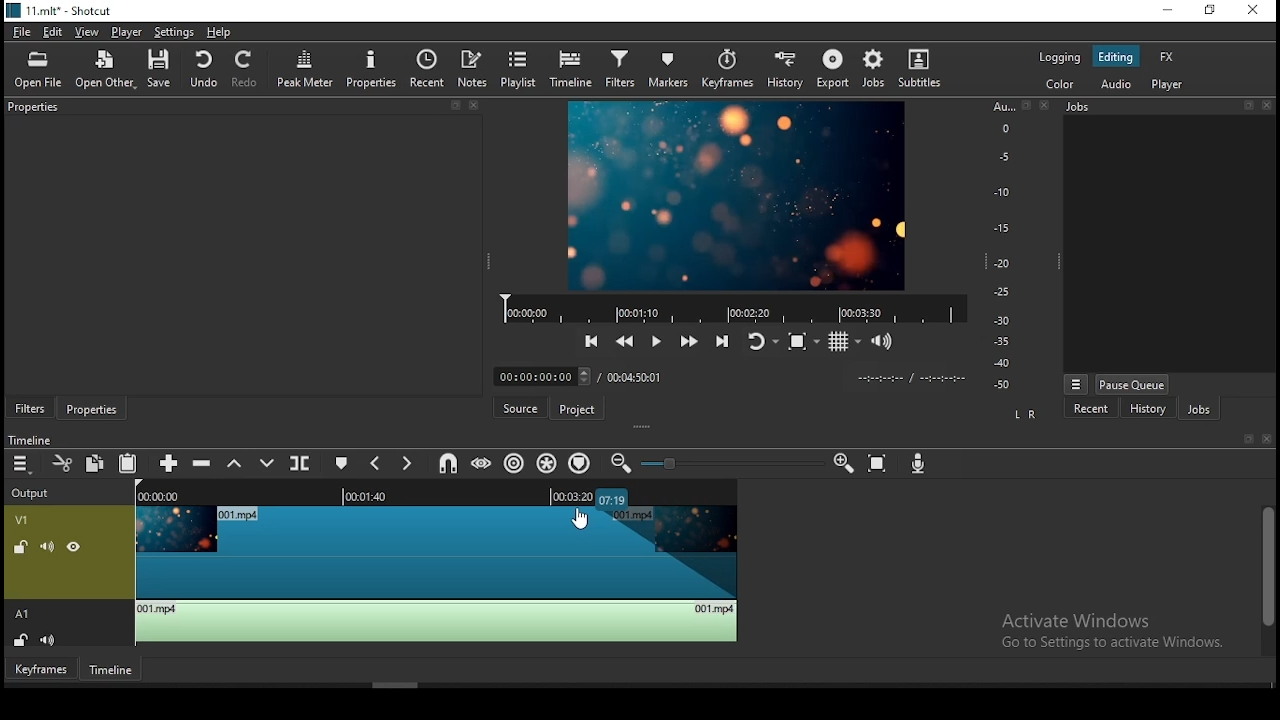  I want to click on undo, so click(205, 71).